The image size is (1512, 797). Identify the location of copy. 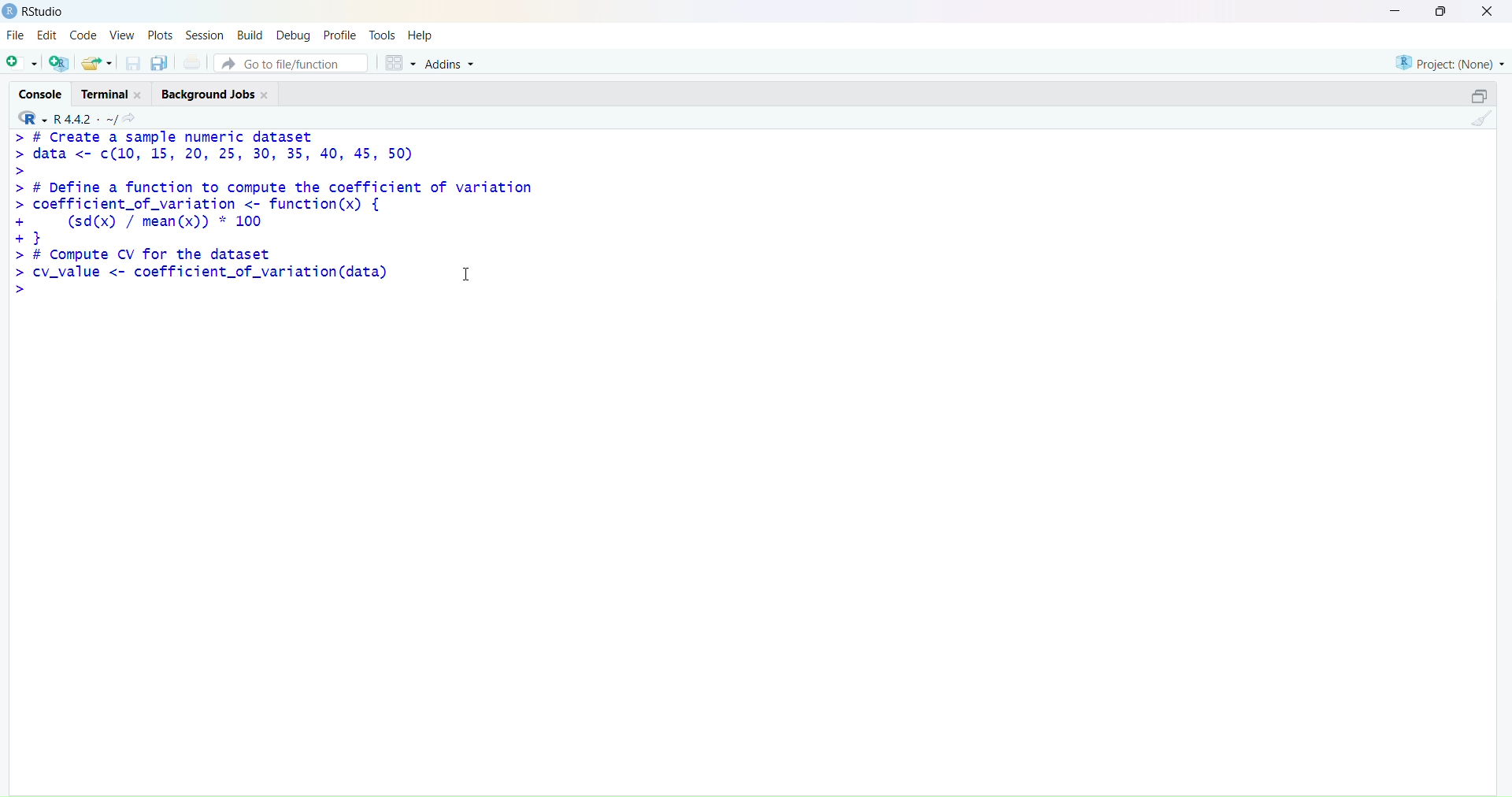
(159, 63).